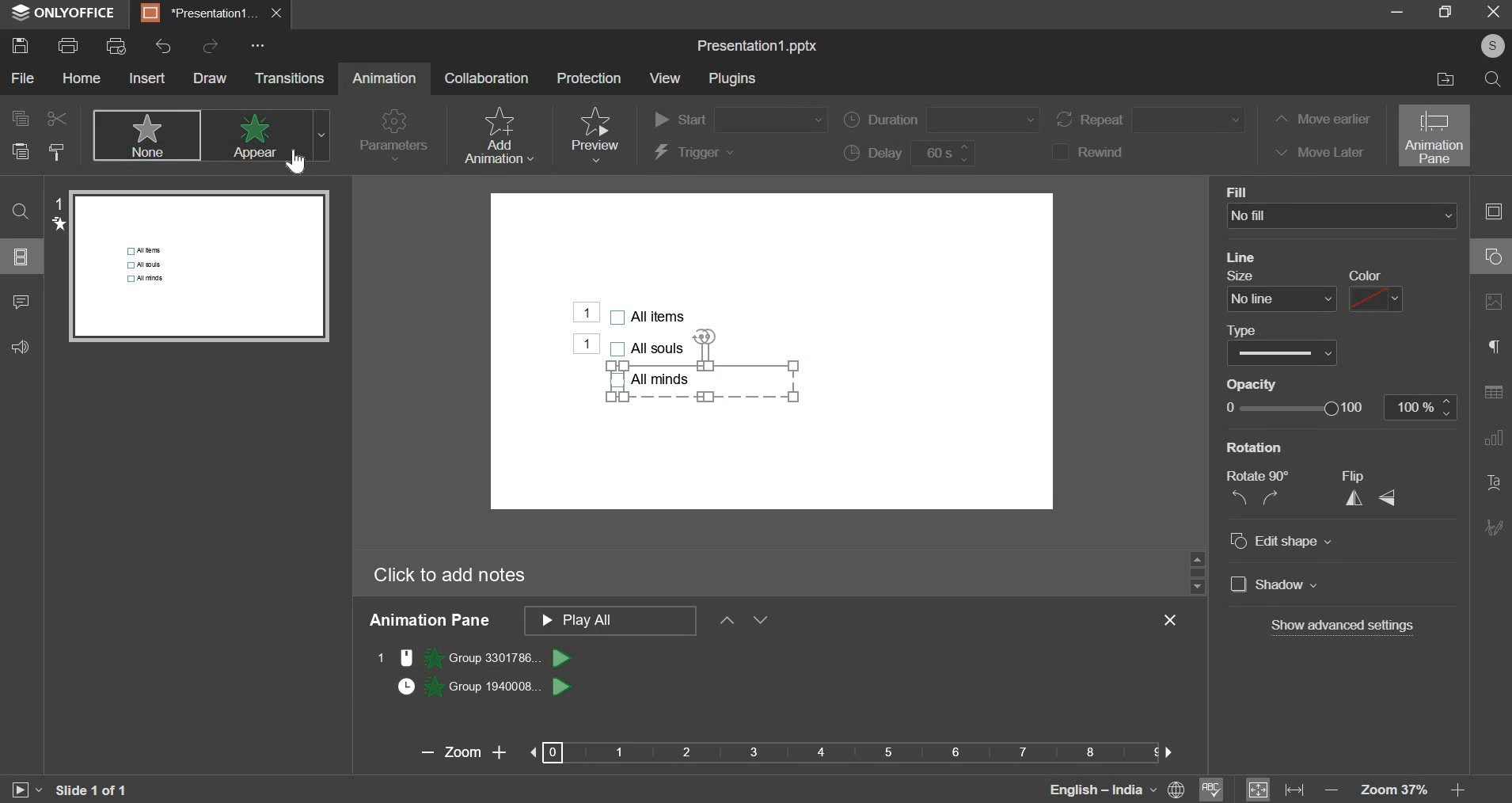 Image resolution: width=1512 pixels, height=803 pixels. Describe the element at coordinates (486, 671) in the screenshot. I see `separate animations` at that location.